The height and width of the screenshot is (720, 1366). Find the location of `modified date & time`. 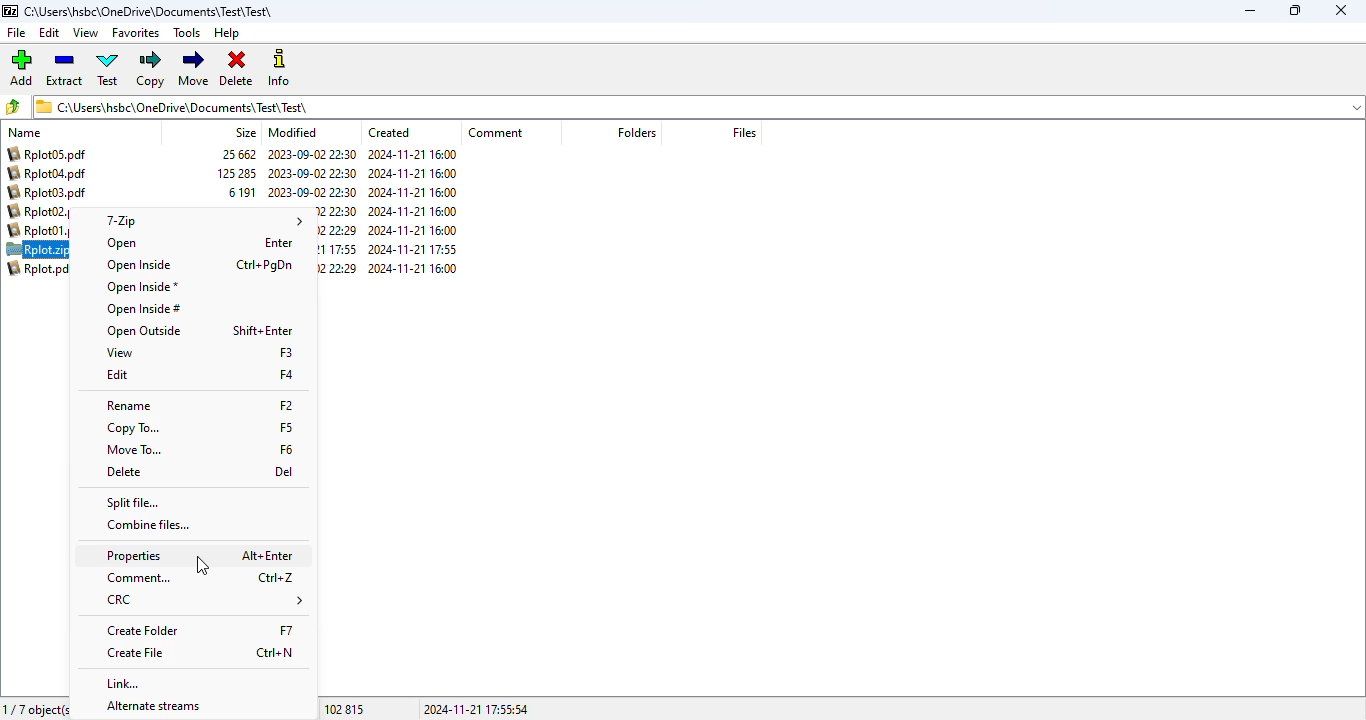

modified date & time is located at coordinates (312, 176).